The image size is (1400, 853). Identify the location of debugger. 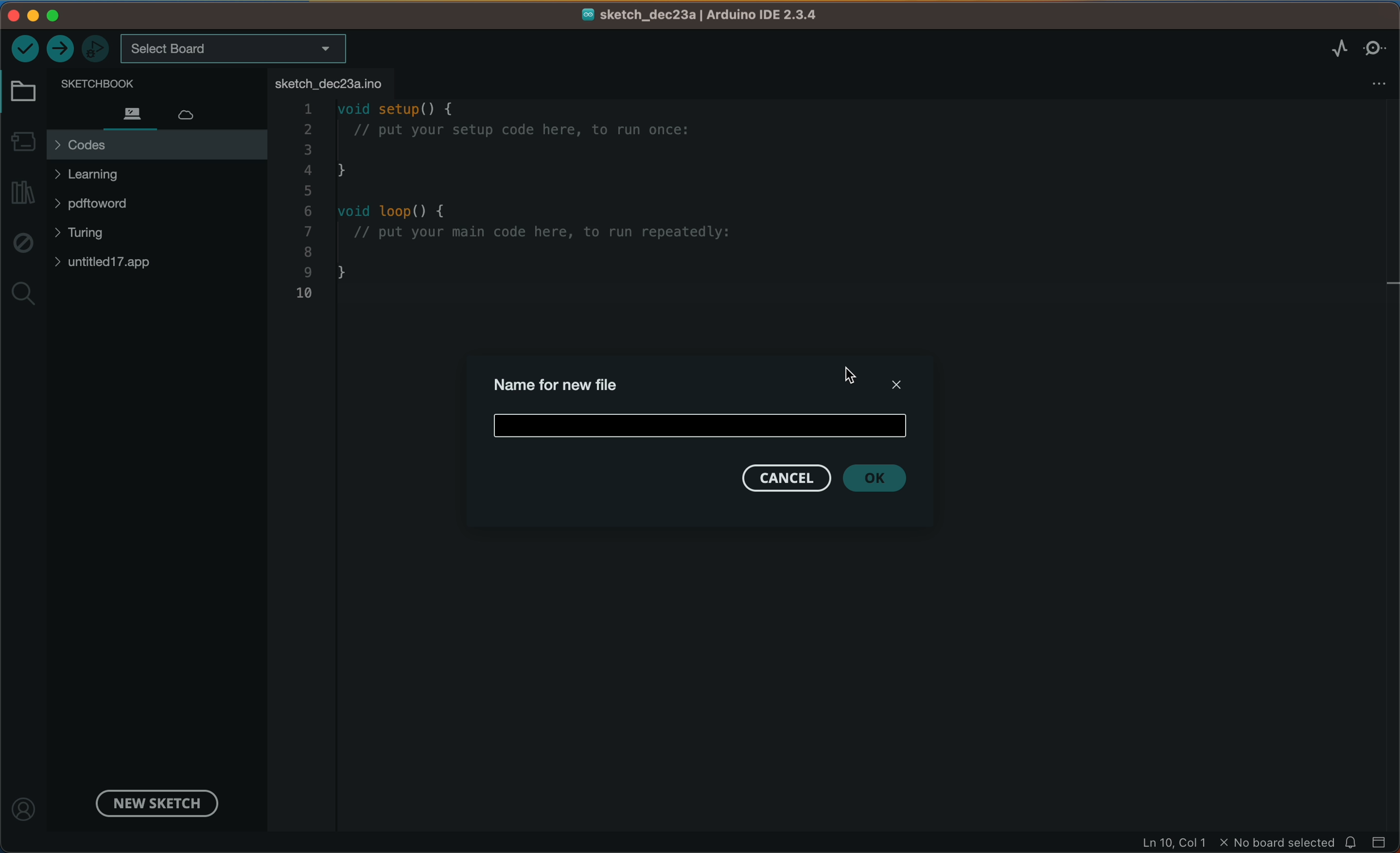
(97, 48).